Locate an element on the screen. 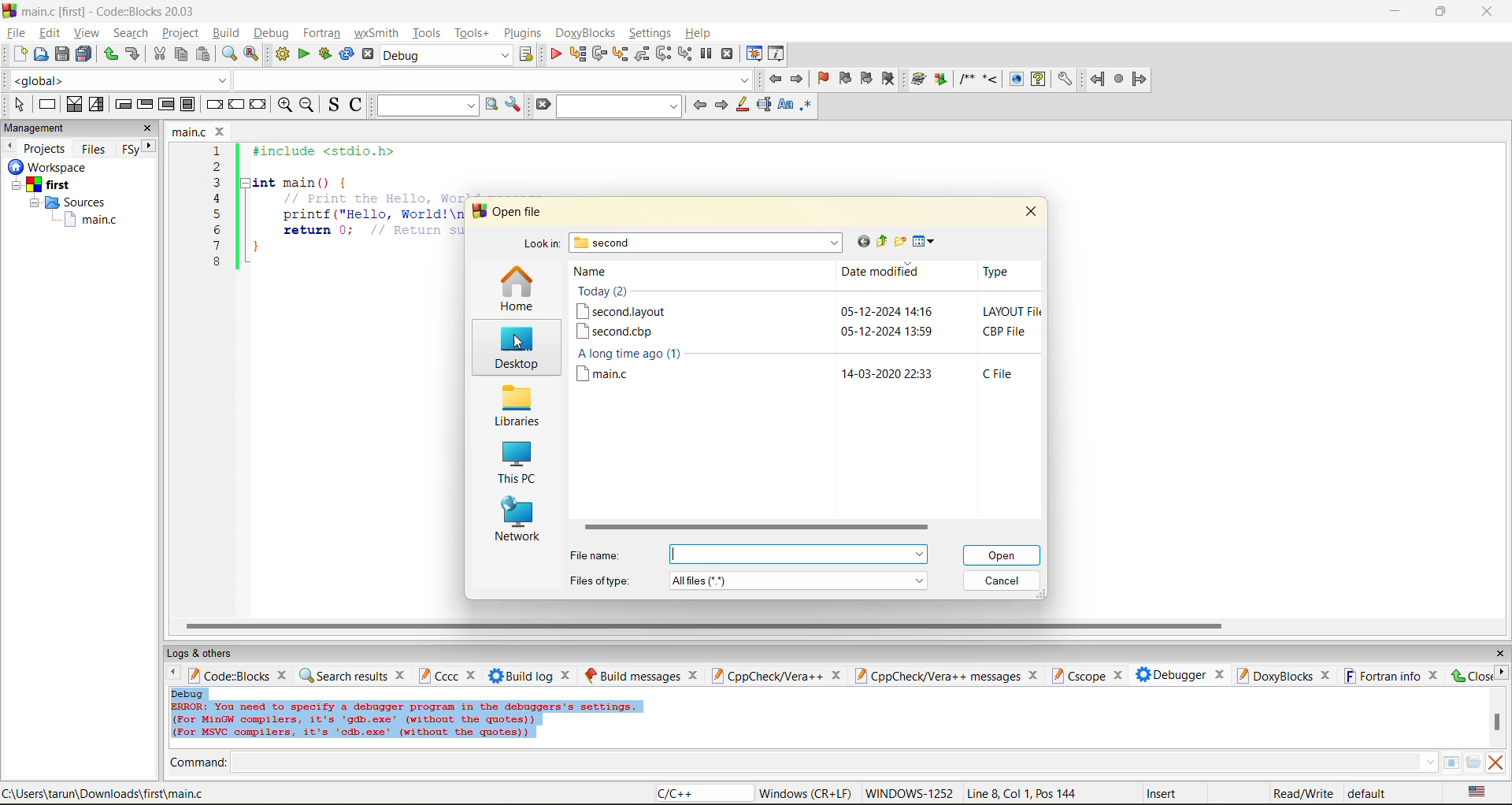 This screenshot has width=1512, height=805. settings is located at coordinates (651, 33).